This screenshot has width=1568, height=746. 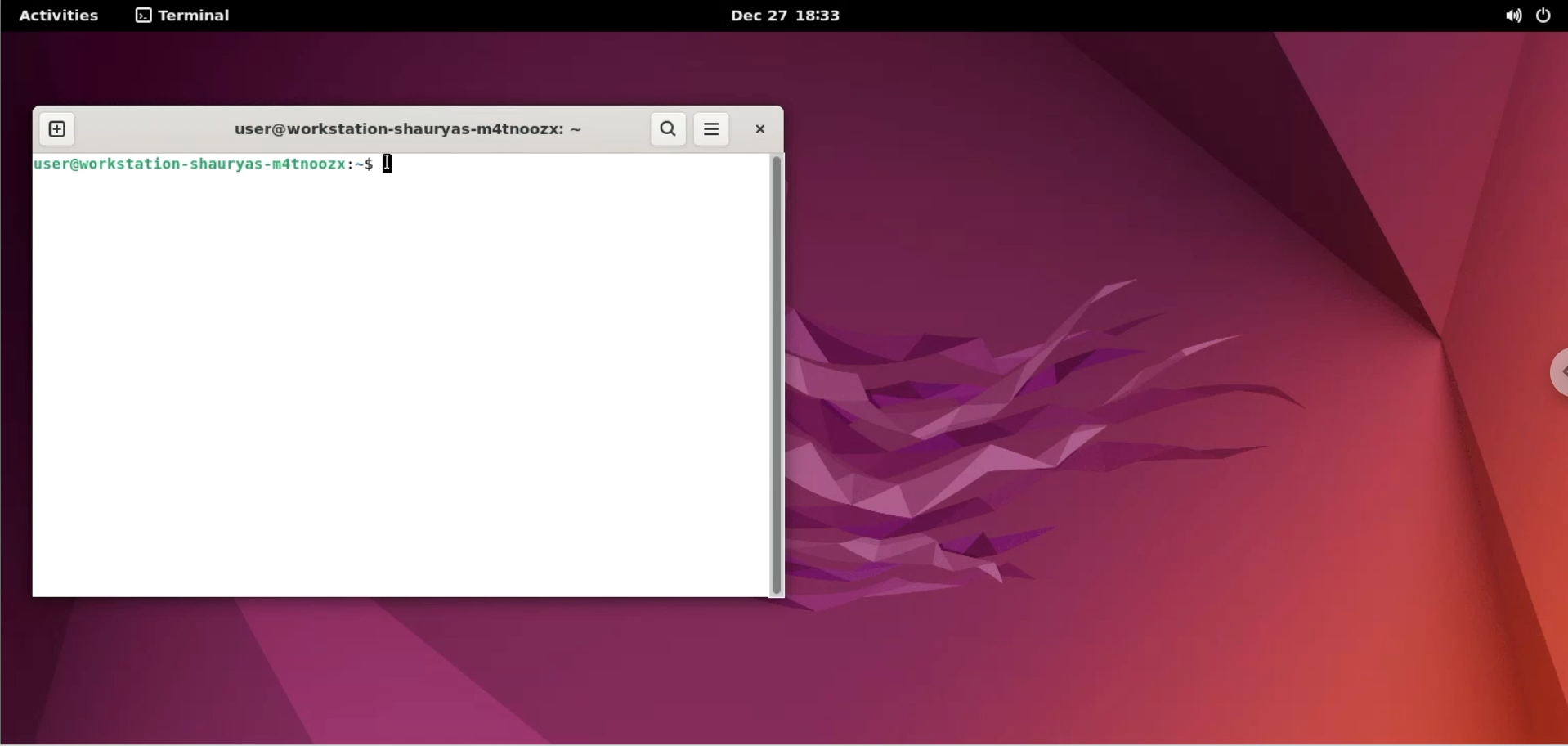 What do you see at coordinates (670, 131) in the screenshot?
I see `search` at bounding box center [670, 131].